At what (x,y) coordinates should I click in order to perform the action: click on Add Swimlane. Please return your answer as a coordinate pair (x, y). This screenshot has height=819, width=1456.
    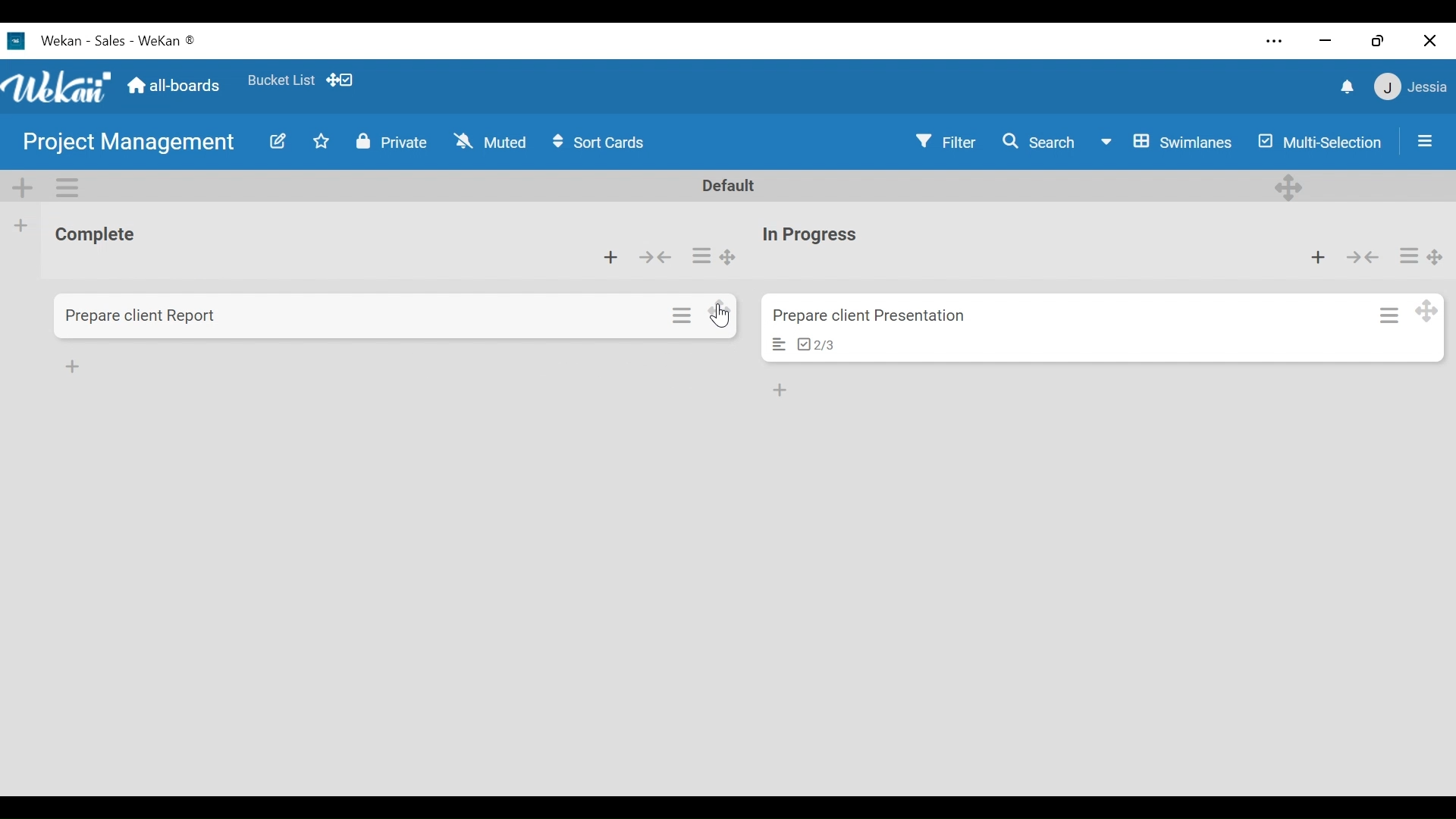
    Looking at the image, I should click on (26, 186).